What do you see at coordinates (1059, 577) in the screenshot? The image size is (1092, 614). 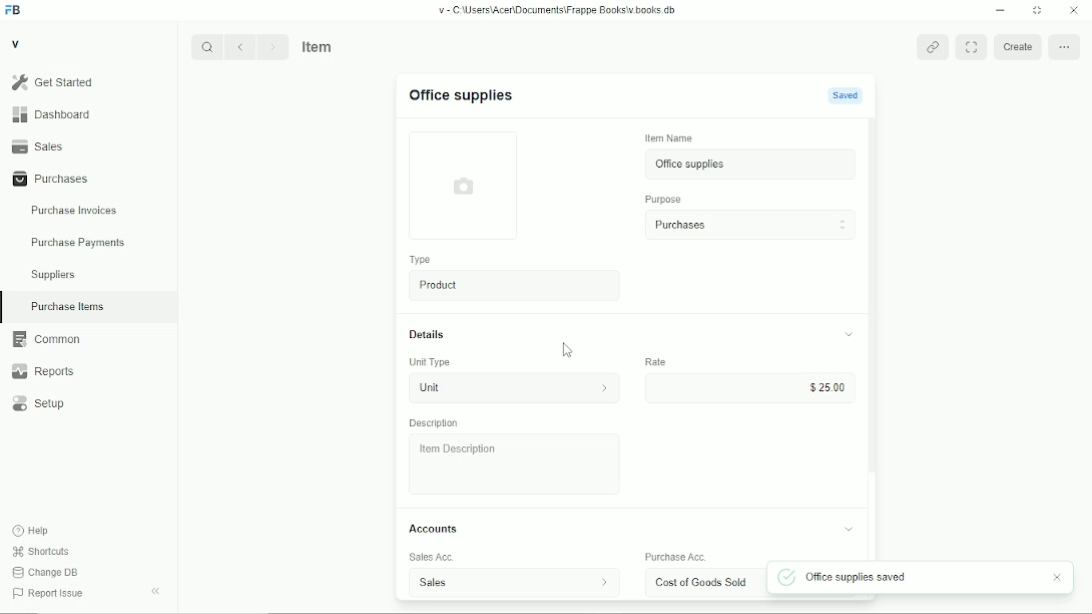 I see `close` at bounding box center [1059, 577].